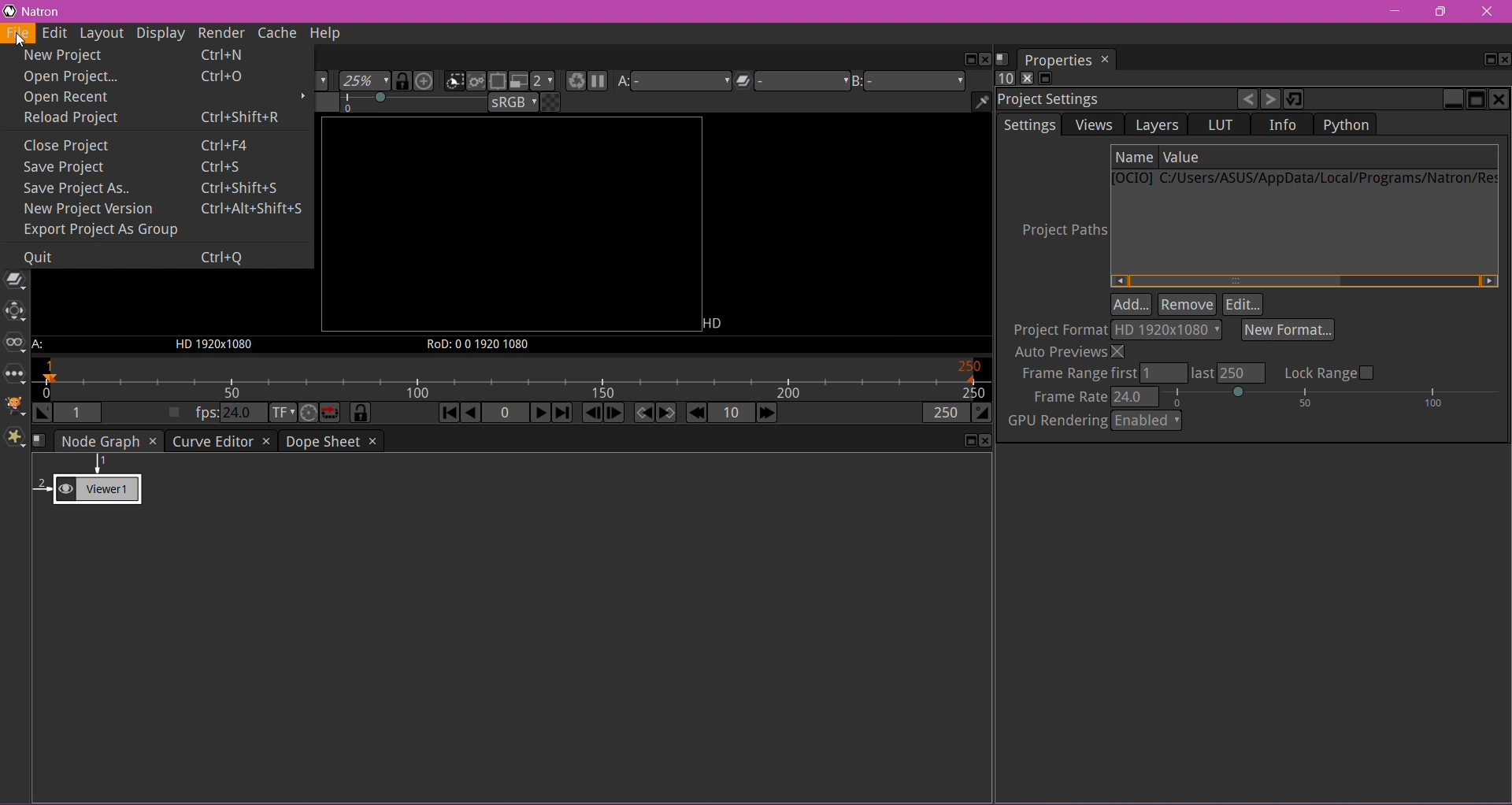 This screenshot has width=1512, height=805. I want to click on Python, so click(1347, 124).